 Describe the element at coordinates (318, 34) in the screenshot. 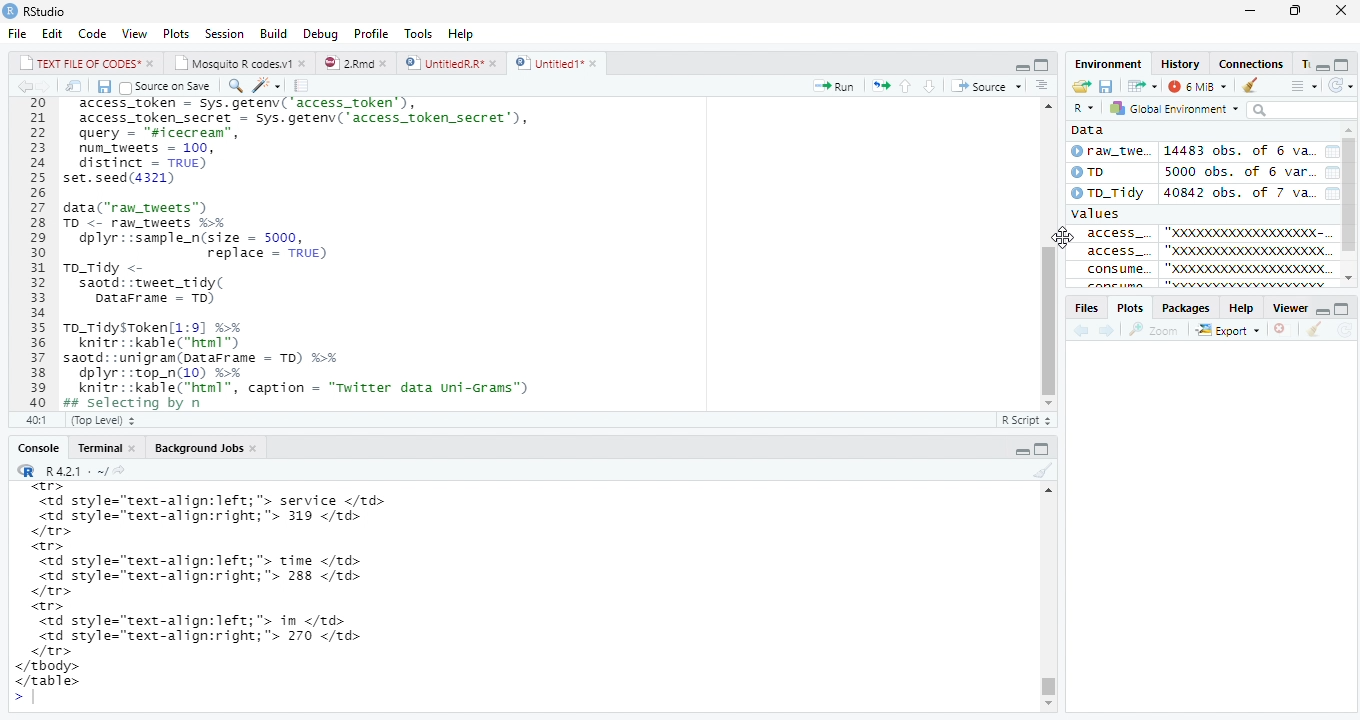

I see `Debug` at that location.